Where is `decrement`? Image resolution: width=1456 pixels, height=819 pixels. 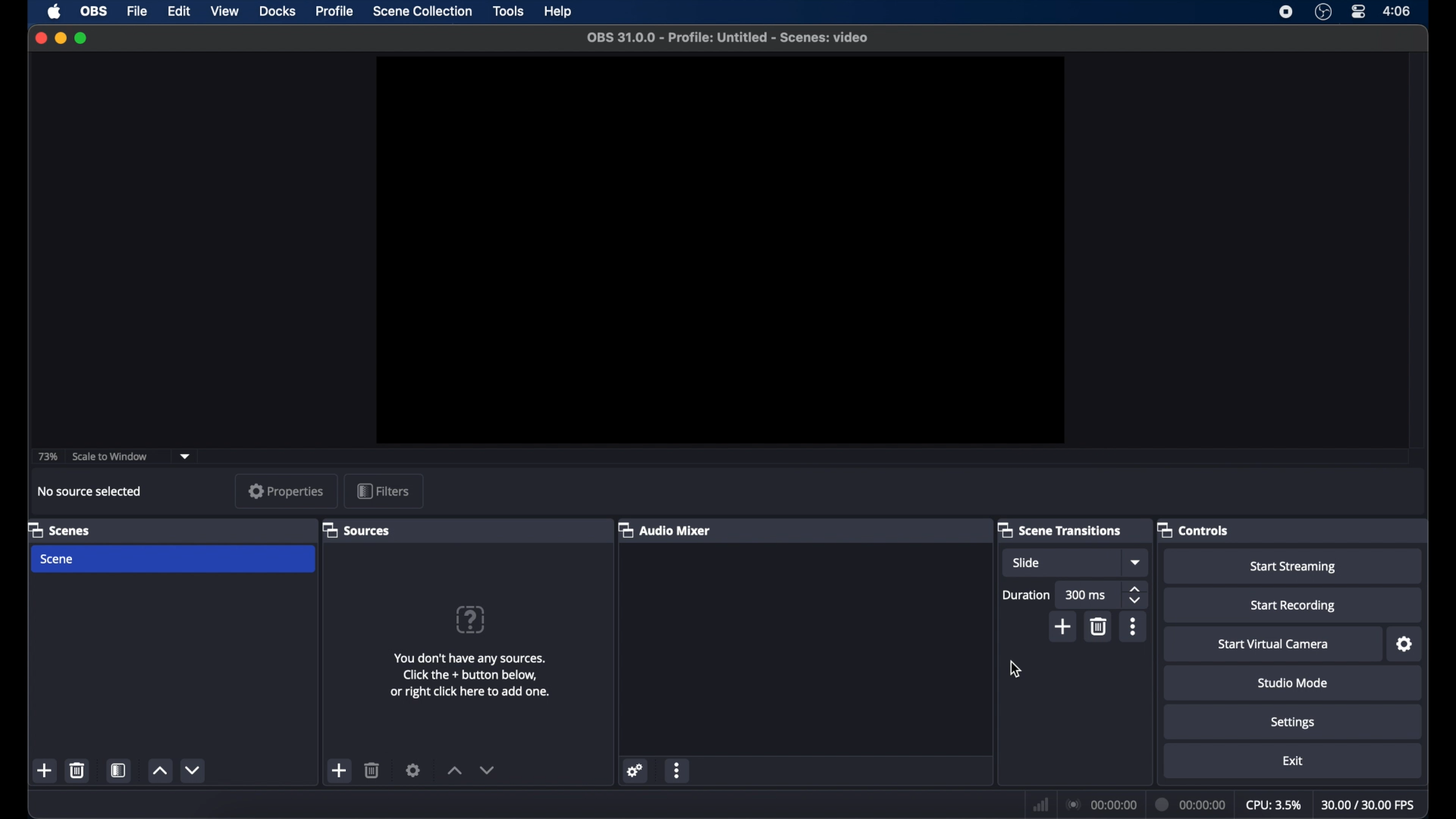
decrement is located at coordinates (488, 770).